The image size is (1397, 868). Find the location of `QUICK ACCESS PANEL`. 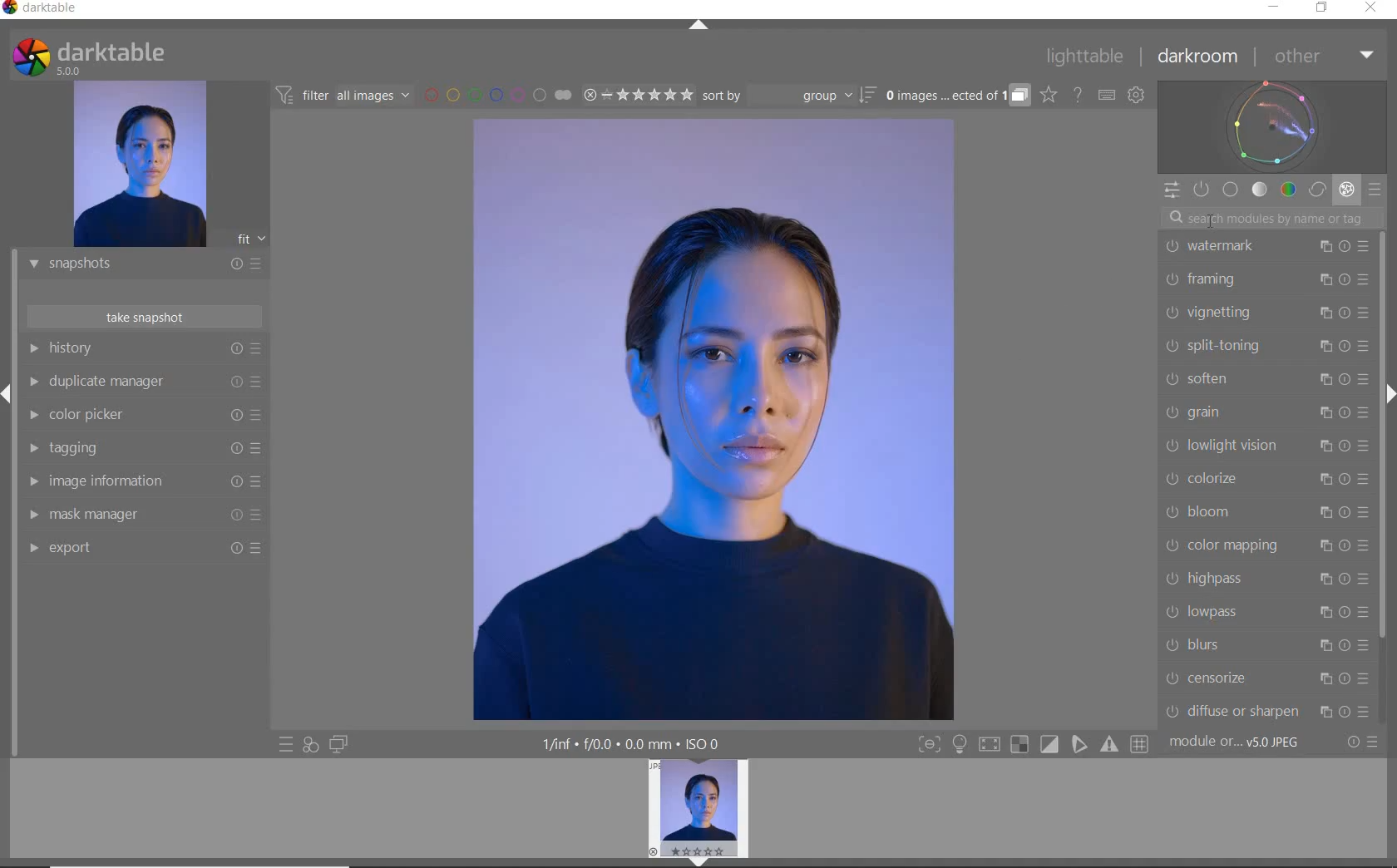

QUICK ACCESS PANEL is located at coordinates (1171, 191).